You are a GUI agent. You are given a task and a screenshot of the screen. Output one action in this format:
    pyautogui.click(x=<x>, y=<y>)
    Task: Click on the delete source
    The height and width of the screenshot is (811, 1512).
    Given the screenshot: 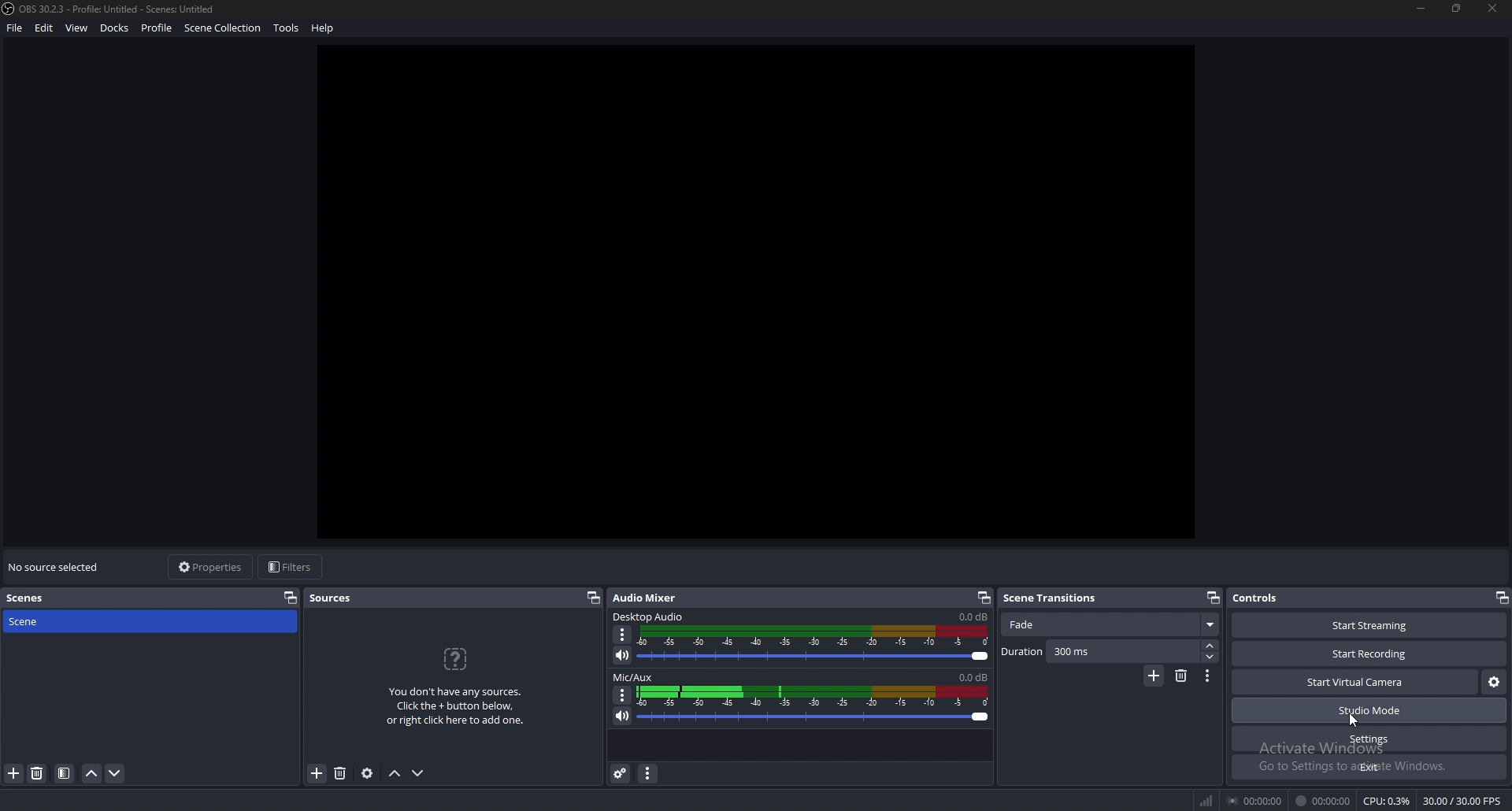 What is the action you would take?
    pyautogui.click(x=37, y=774)
    